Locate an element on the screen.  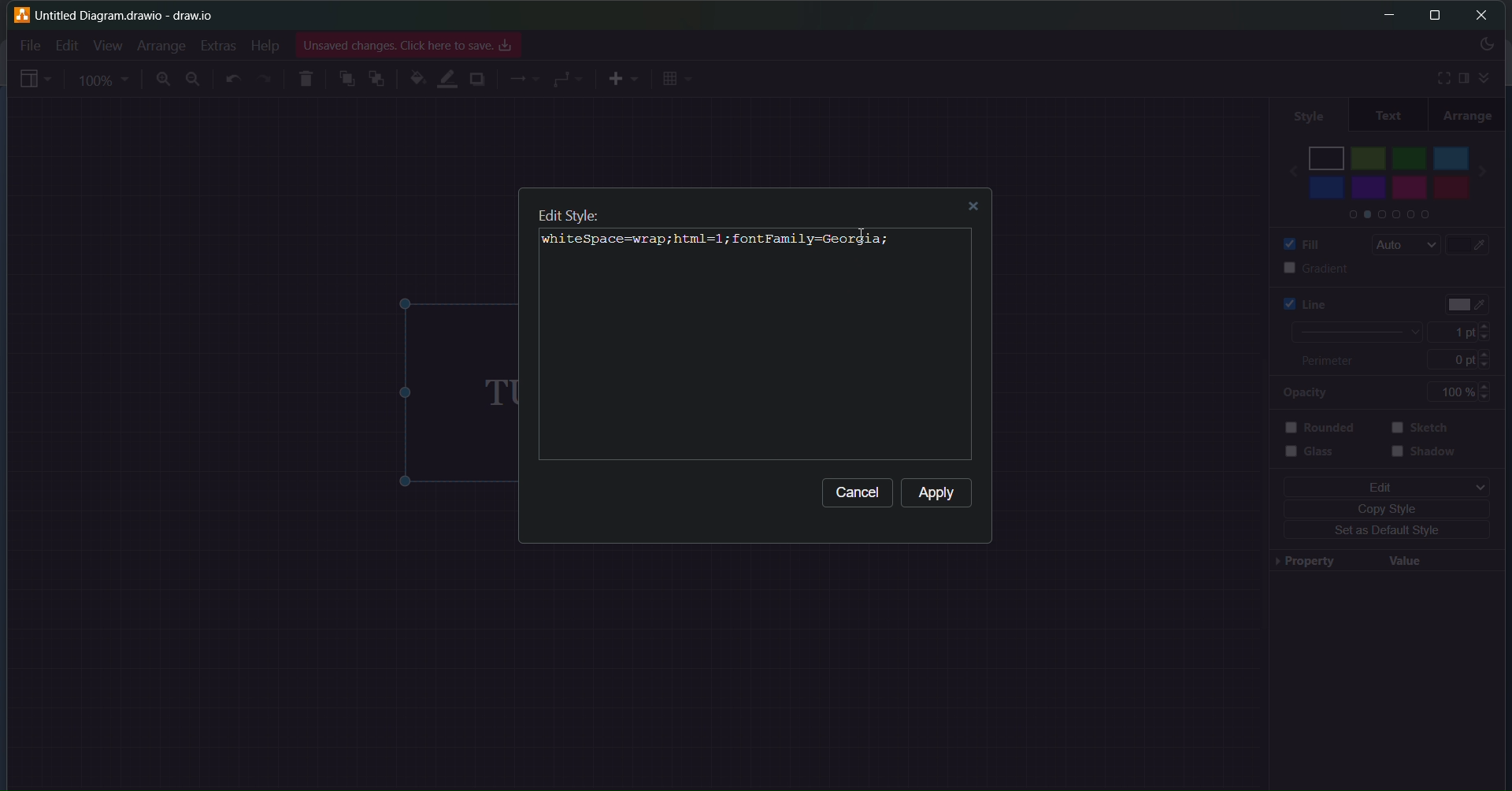
copy style is located at coordinates (1390, 508).